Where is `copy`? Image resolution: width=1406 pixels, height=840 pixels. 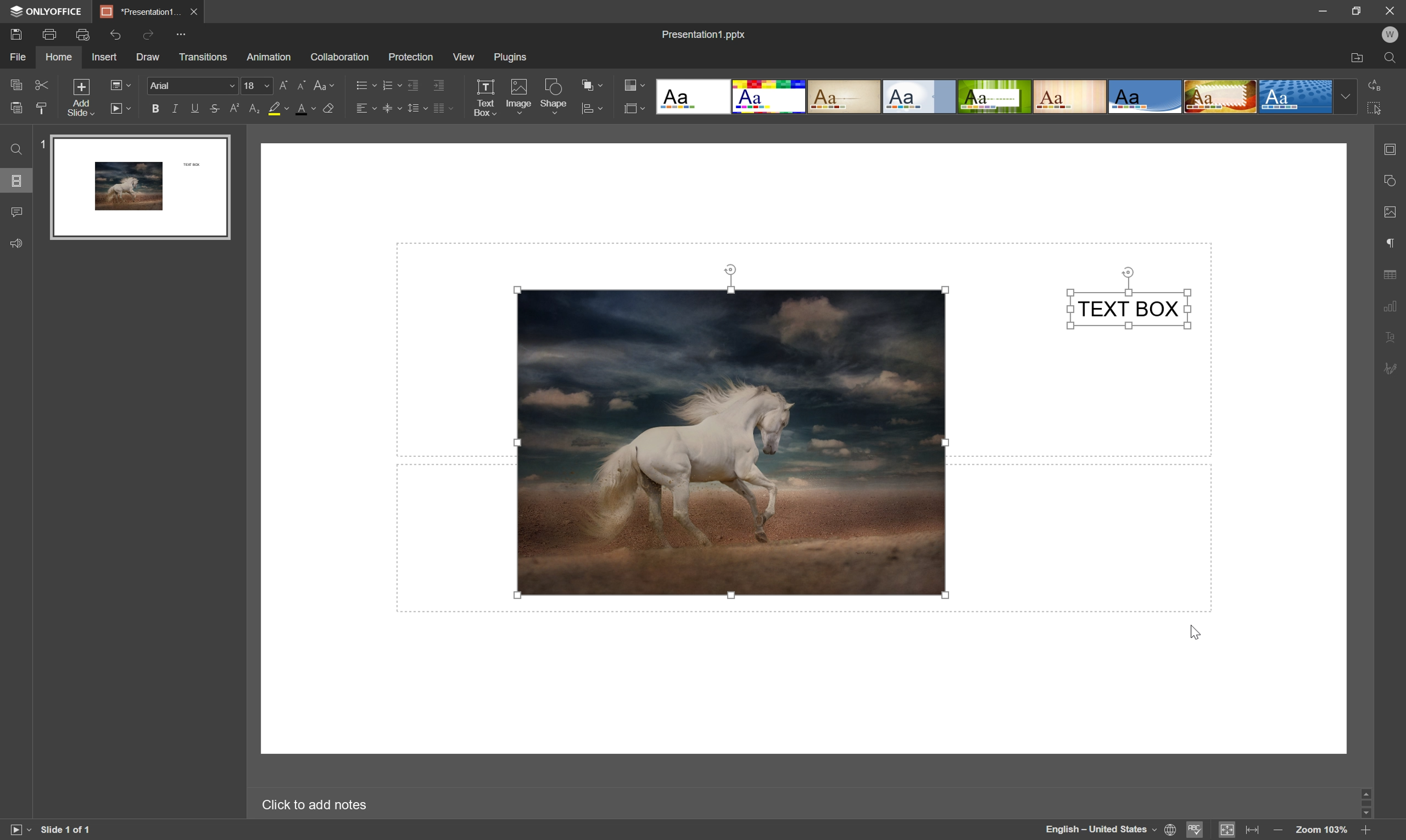 copy is located at coordinates (16, 84).